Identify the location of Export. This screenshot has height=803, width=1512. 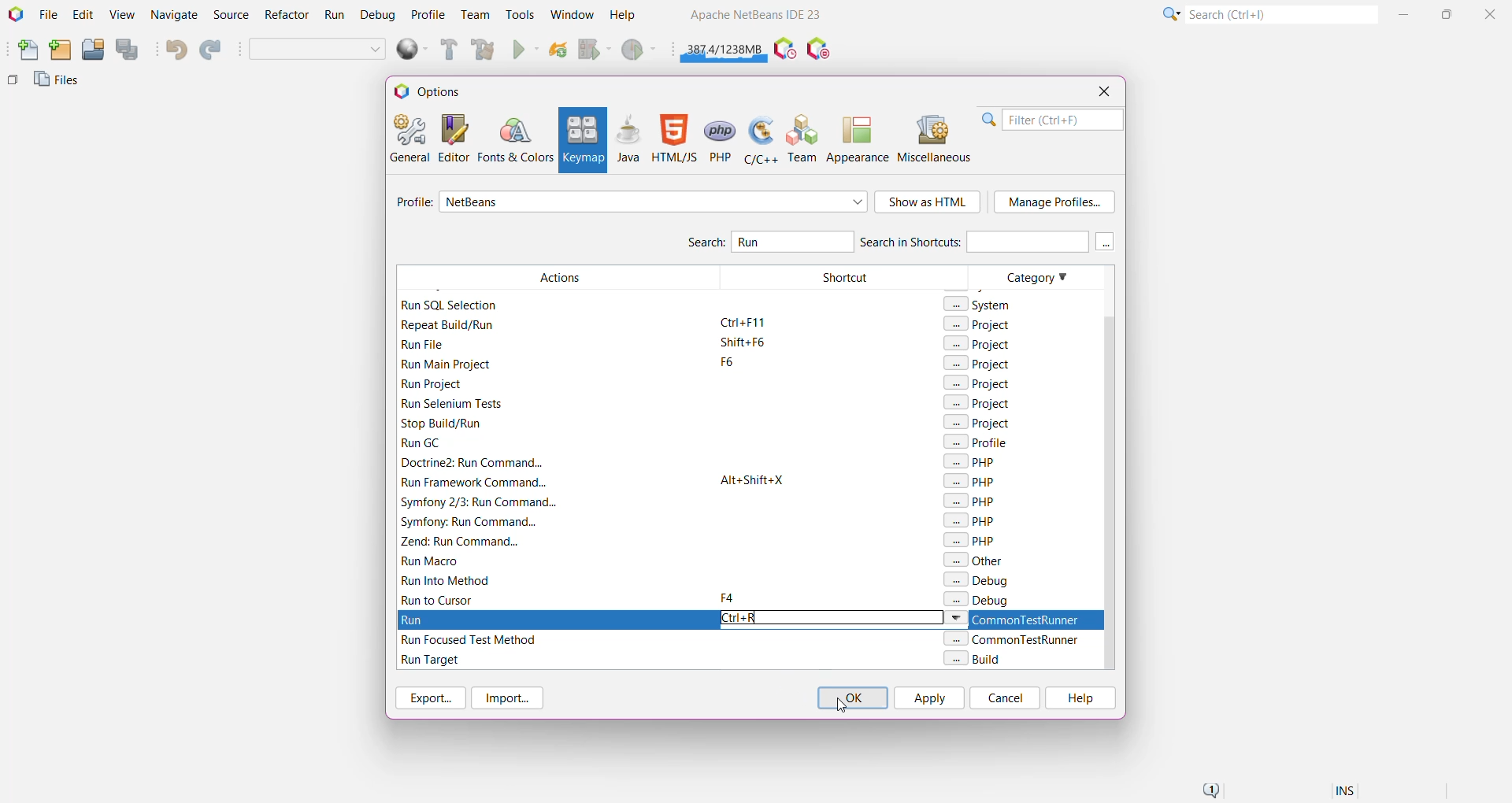
(428, 698).